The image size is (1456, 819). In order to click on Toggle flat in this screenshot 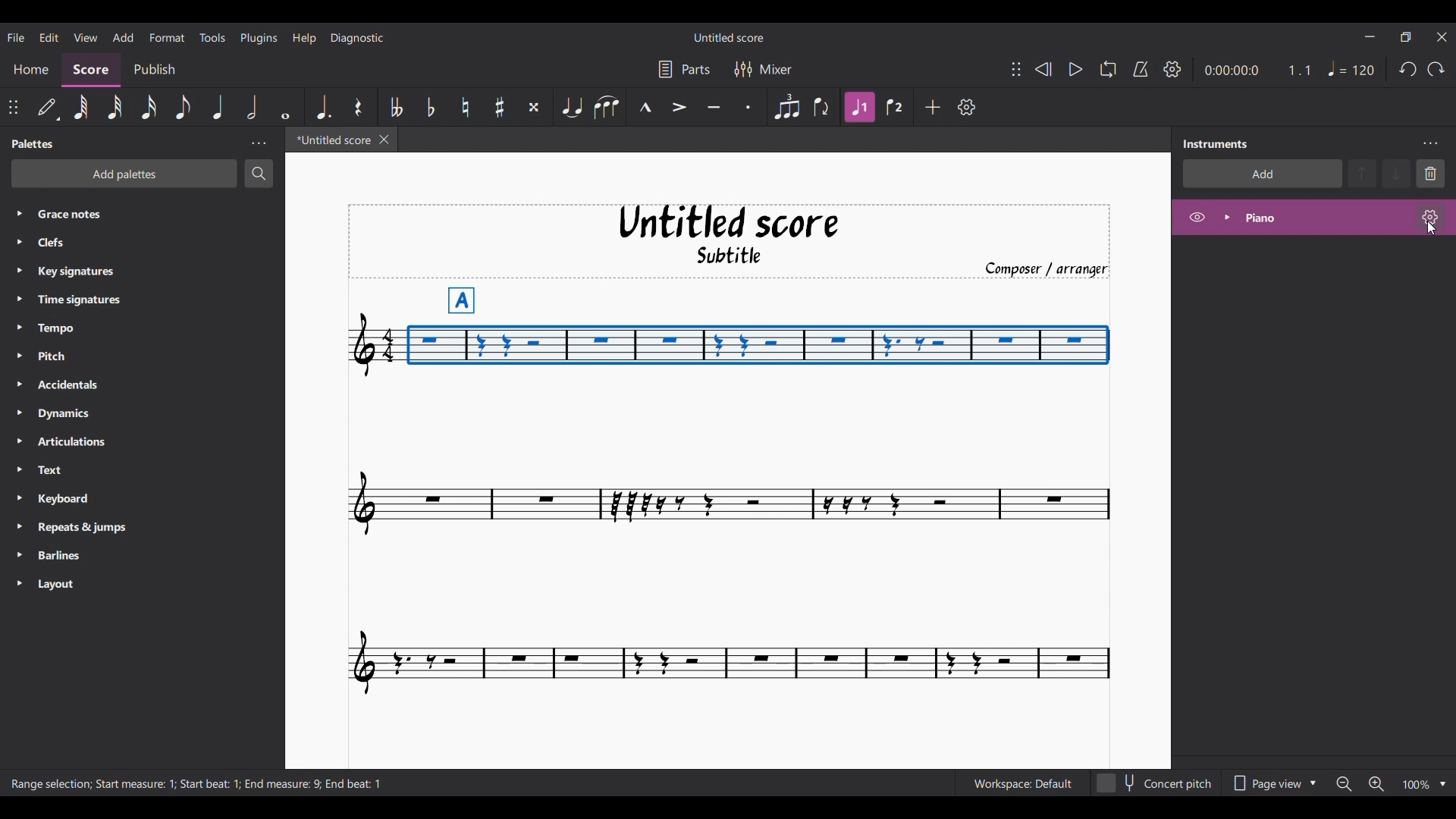, I will do `click(431, 107)`.